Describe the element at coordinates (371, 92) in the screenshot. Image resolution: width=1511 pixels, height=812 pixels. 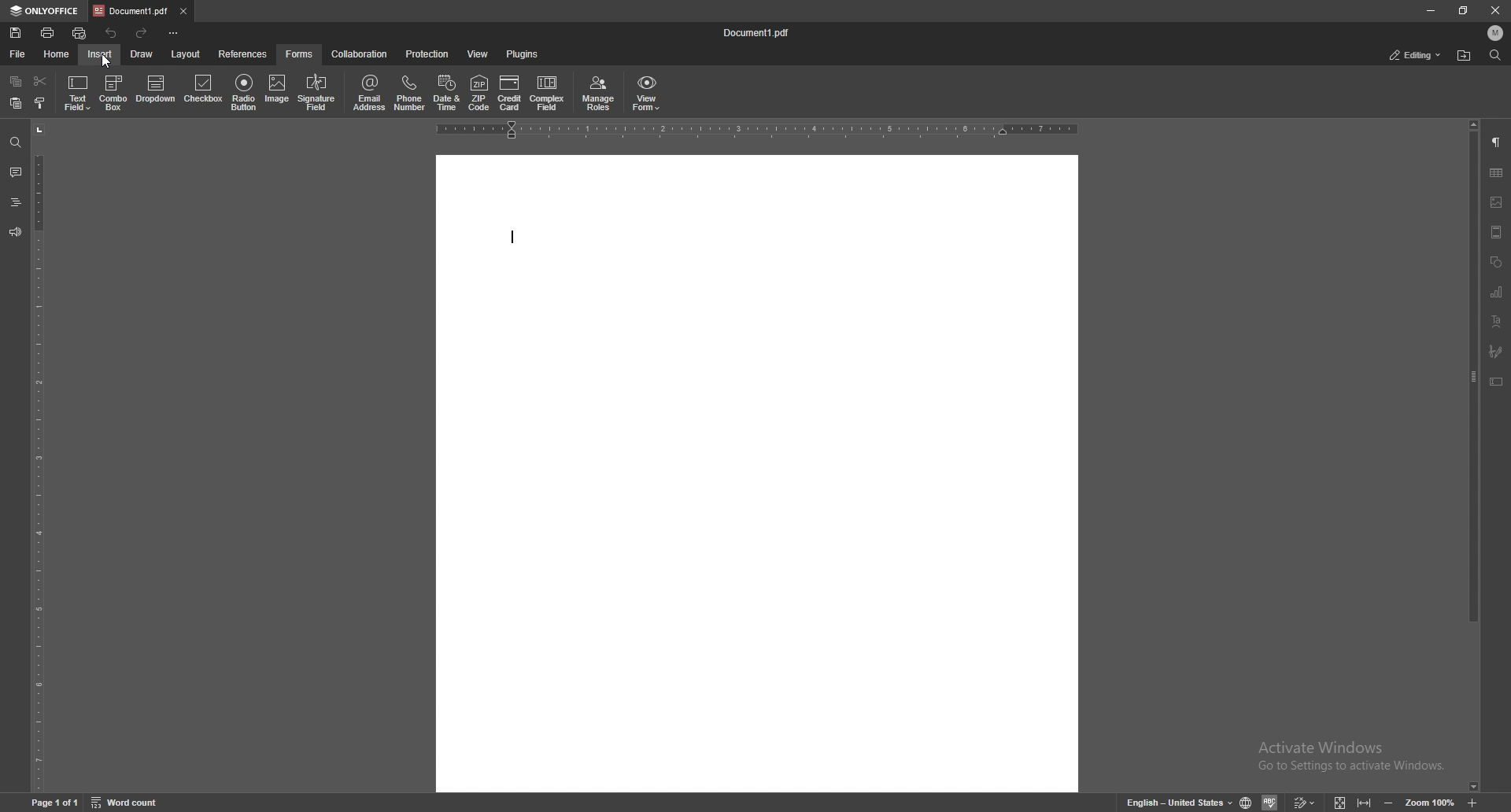
I see `email address` at that location.